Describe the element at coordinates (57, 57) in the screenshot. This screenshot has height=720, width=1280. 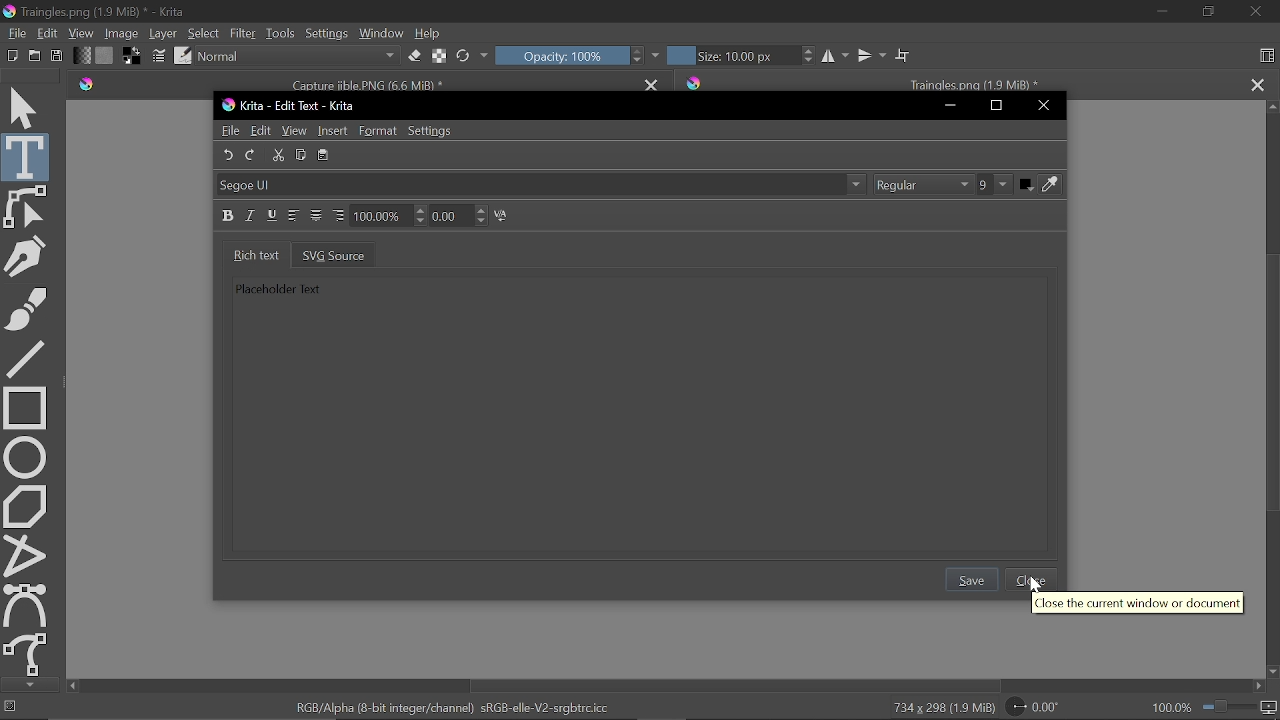
I see `Save` at that location.